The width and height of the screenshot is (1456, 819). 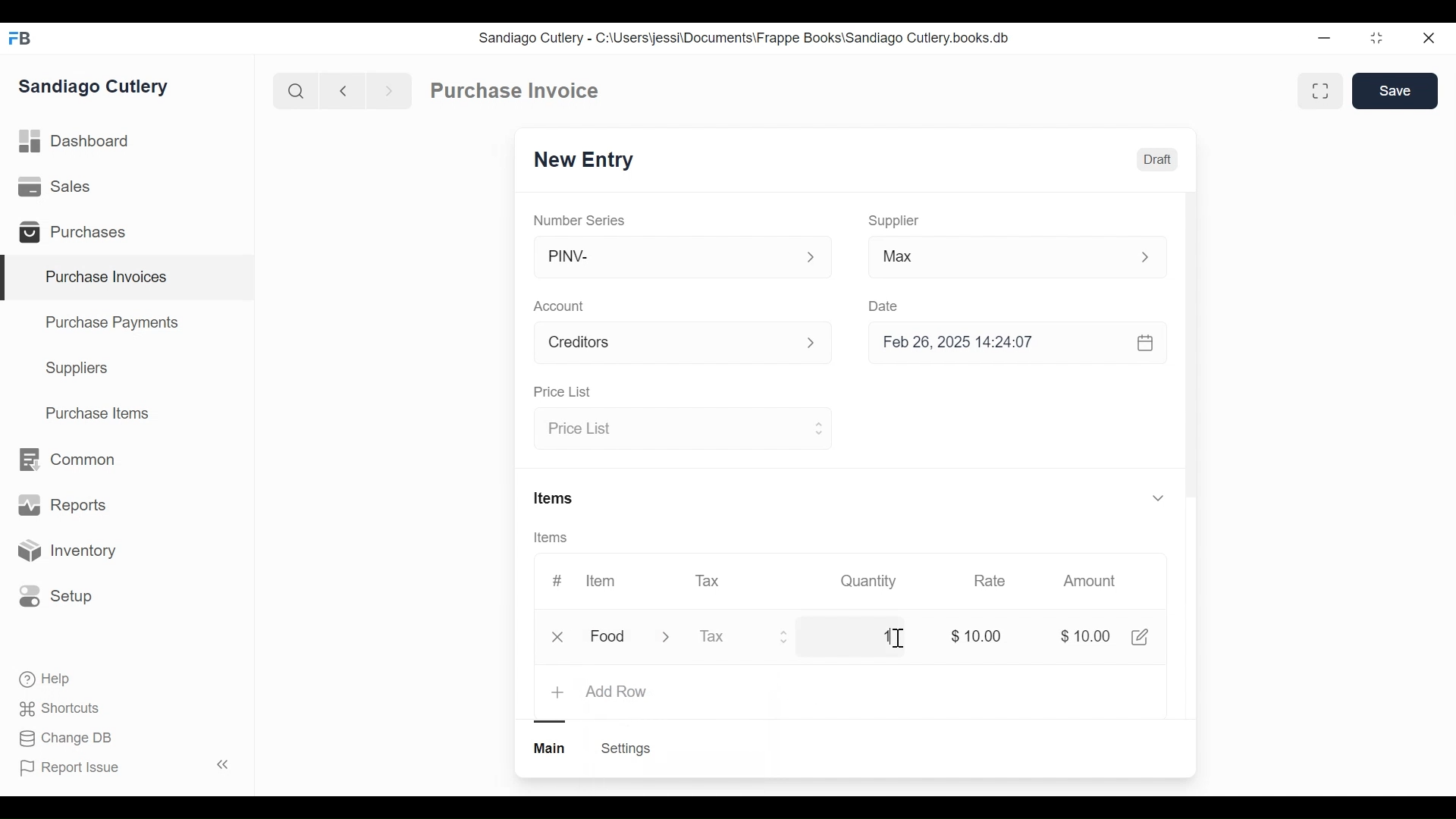 I want to click on Quantity, so click(x=867, y=580).